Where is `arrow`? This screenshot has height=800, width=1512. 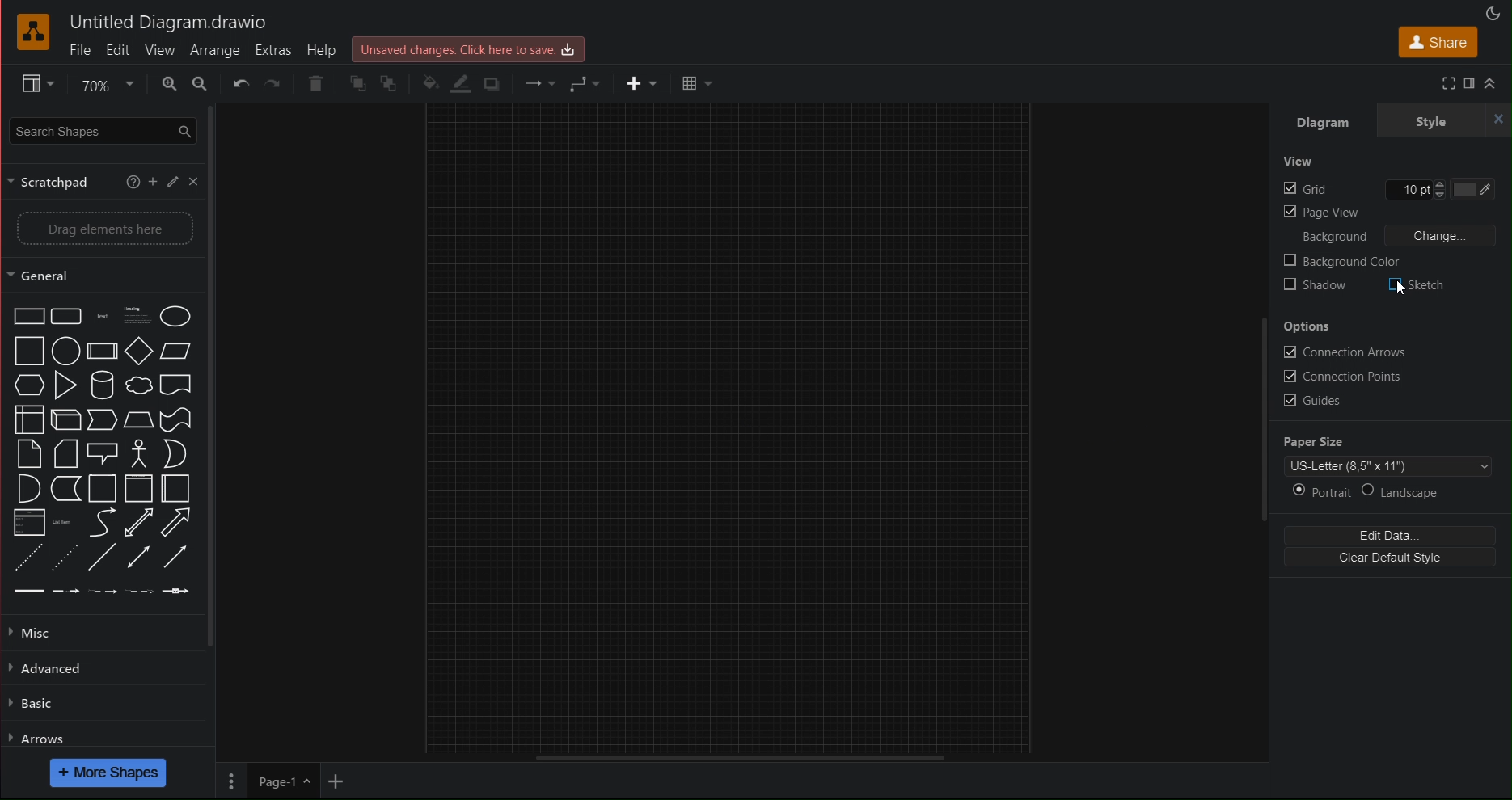 arrow is located at coordinates (175, 522).